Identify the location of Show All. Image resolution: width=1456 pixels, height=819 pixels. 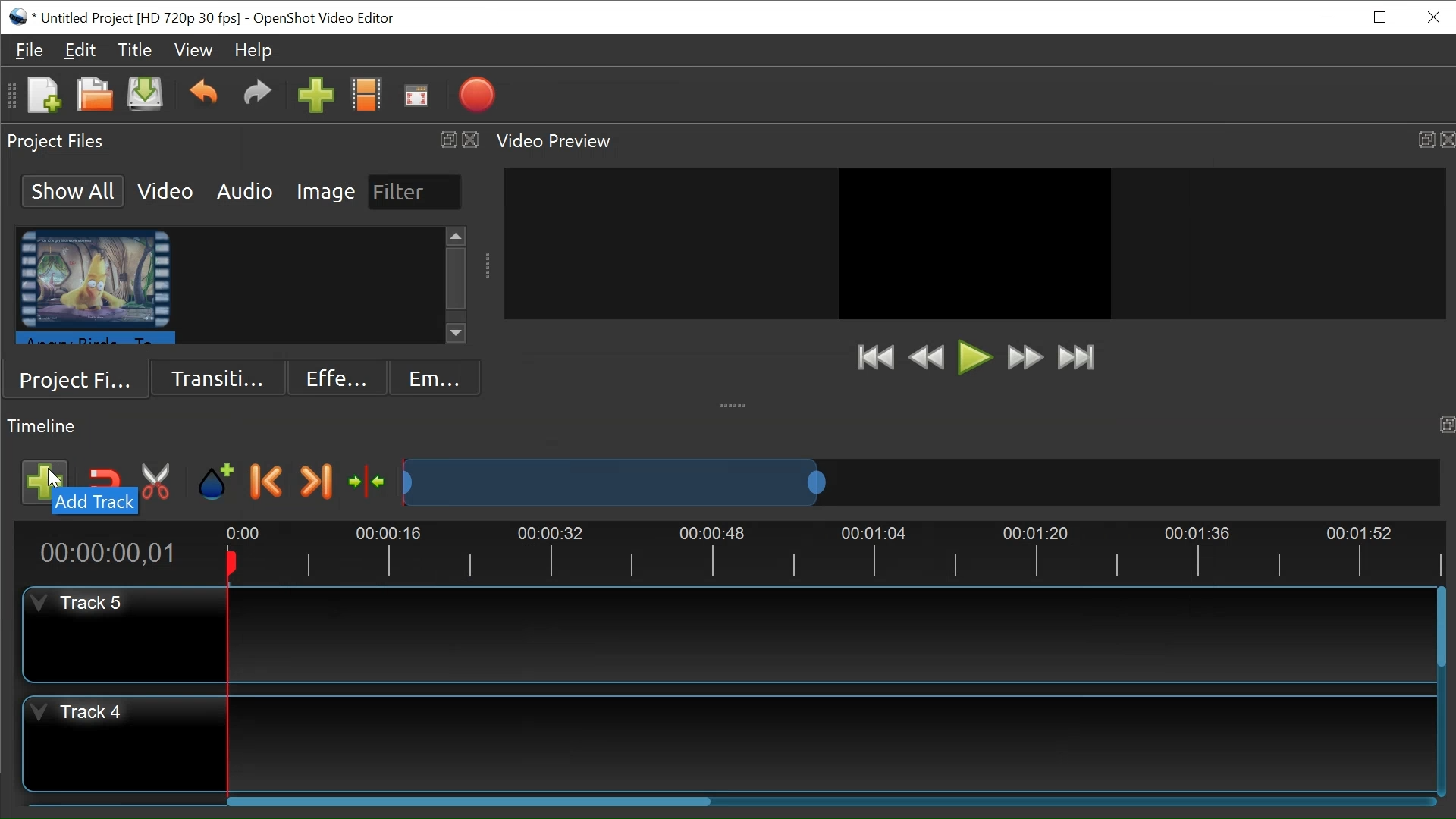
(74, 190).